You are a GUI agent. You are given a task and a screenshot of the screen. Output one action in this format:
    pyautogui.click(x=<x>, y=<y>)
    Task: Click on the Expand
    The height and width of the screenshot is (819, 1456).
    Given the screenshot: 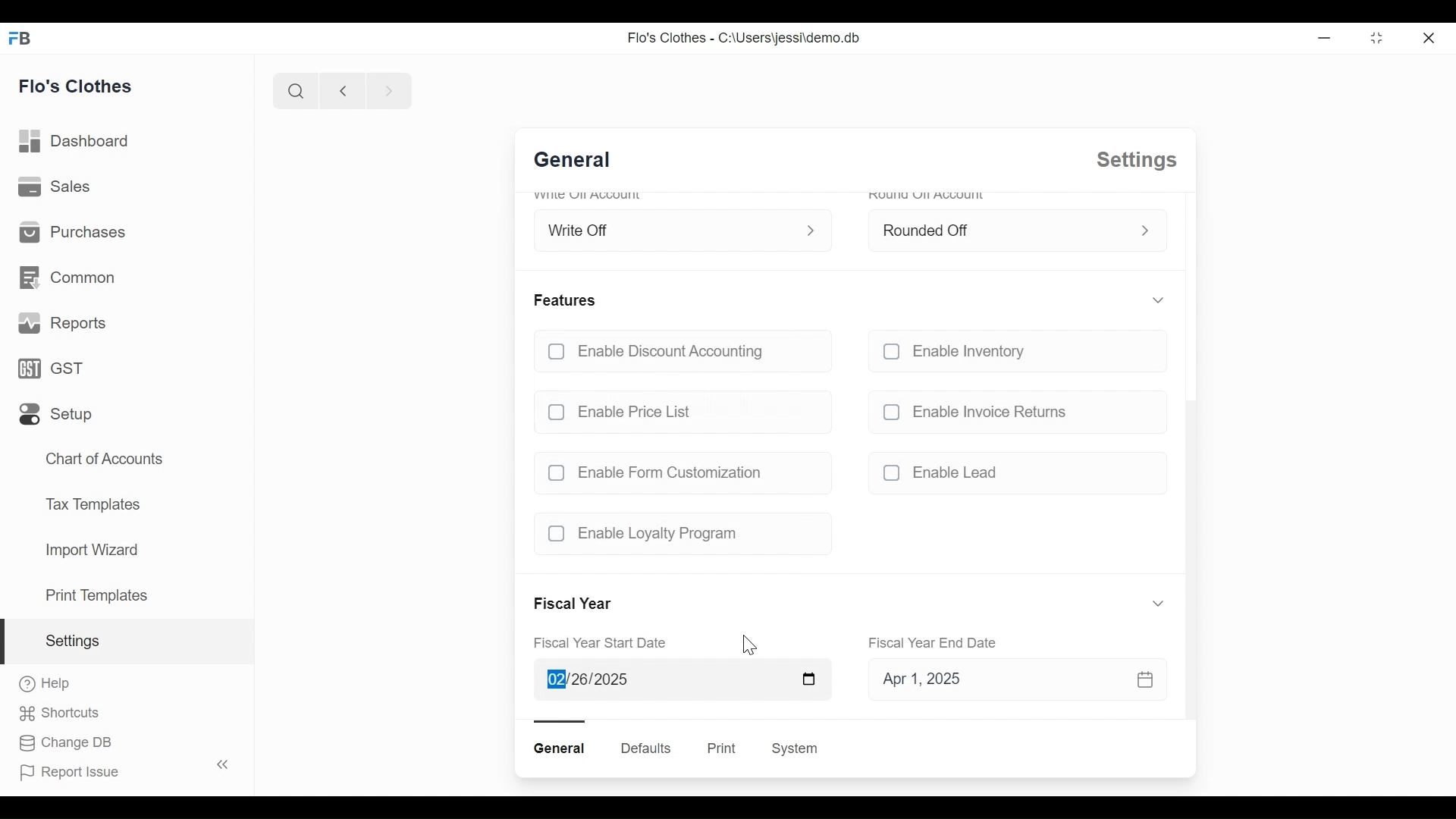 What is the action you would take?
    pyautogui.click(x=1159, y=603)
    